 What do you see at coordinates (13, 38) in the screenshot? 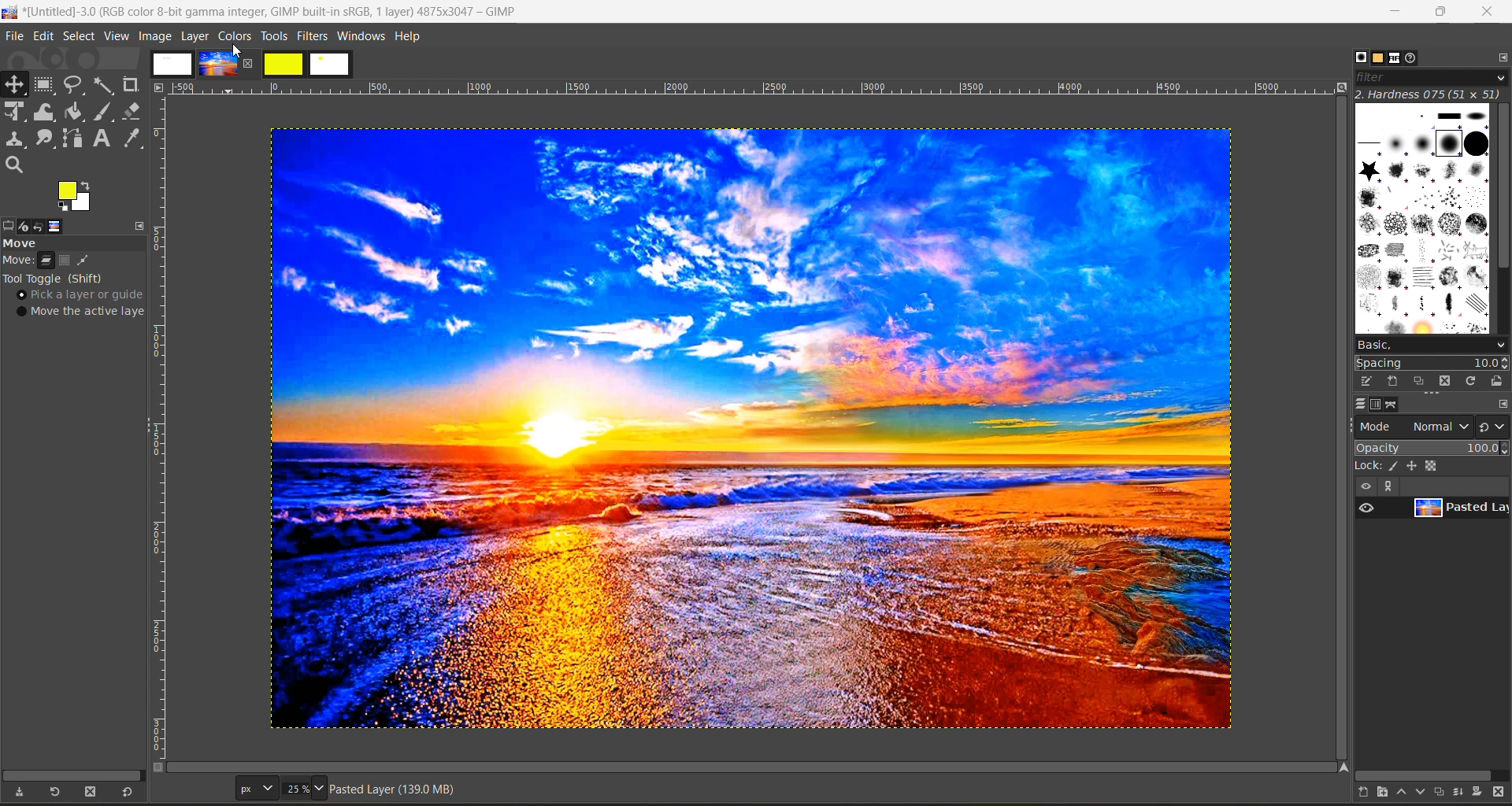
I see `file` at bounding box center [13, 38].